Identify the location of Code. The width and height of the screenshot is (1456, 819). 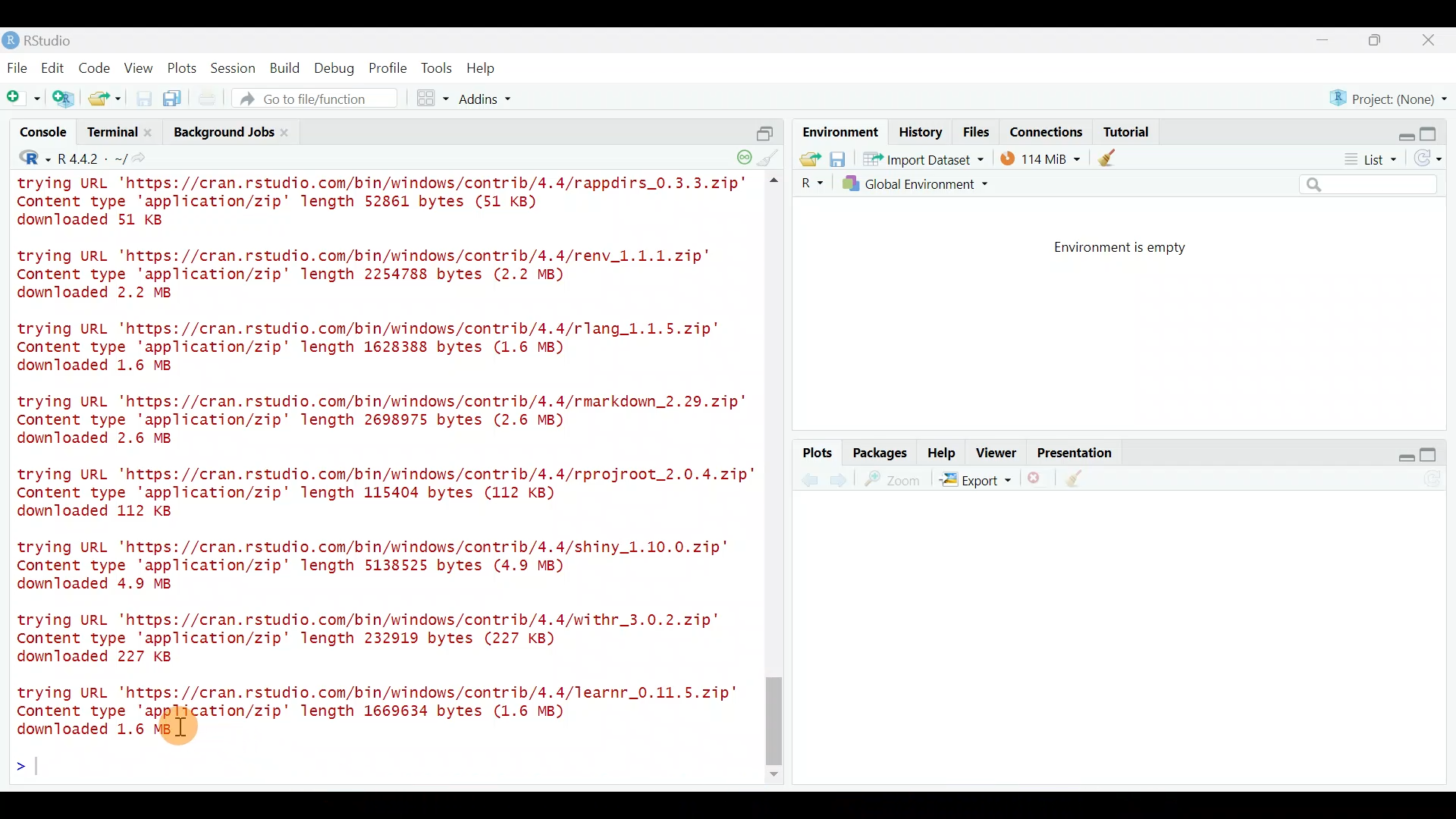
(96, 67).